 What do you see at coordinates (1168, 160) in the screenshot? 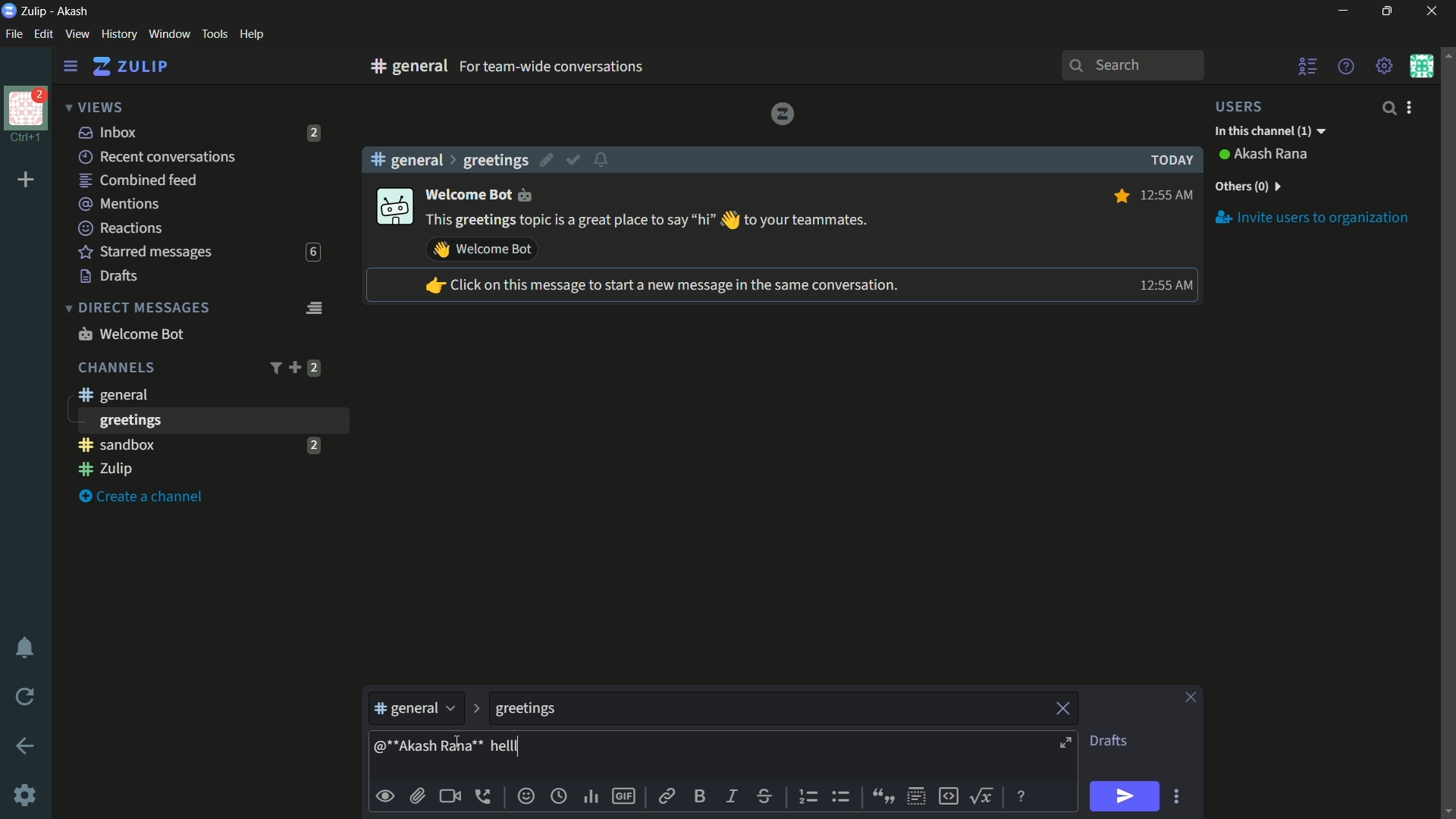
I see `today` at bounding box center [1168, 160].